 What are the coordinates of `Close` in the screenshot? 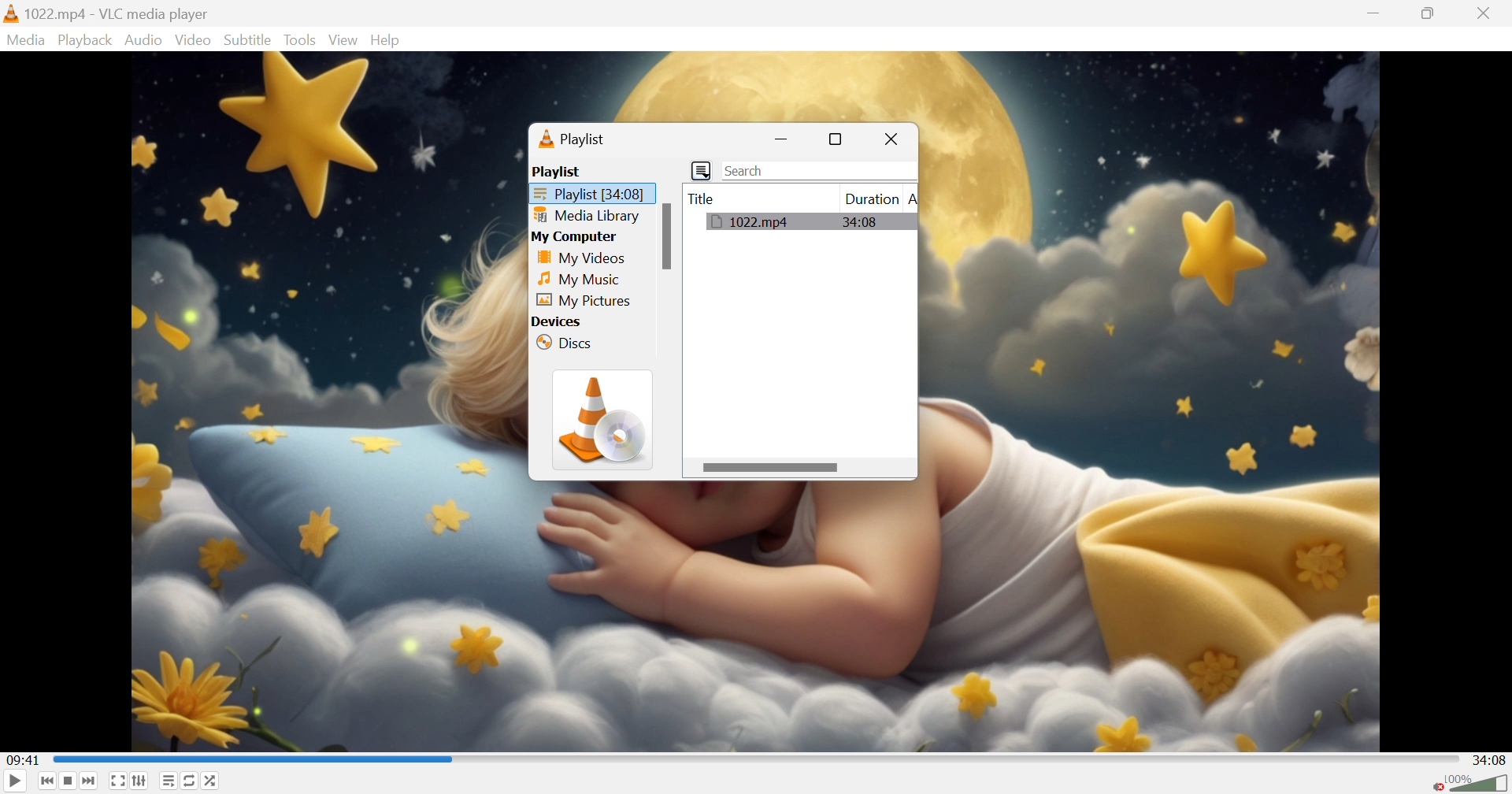 It's located at (893, 143).